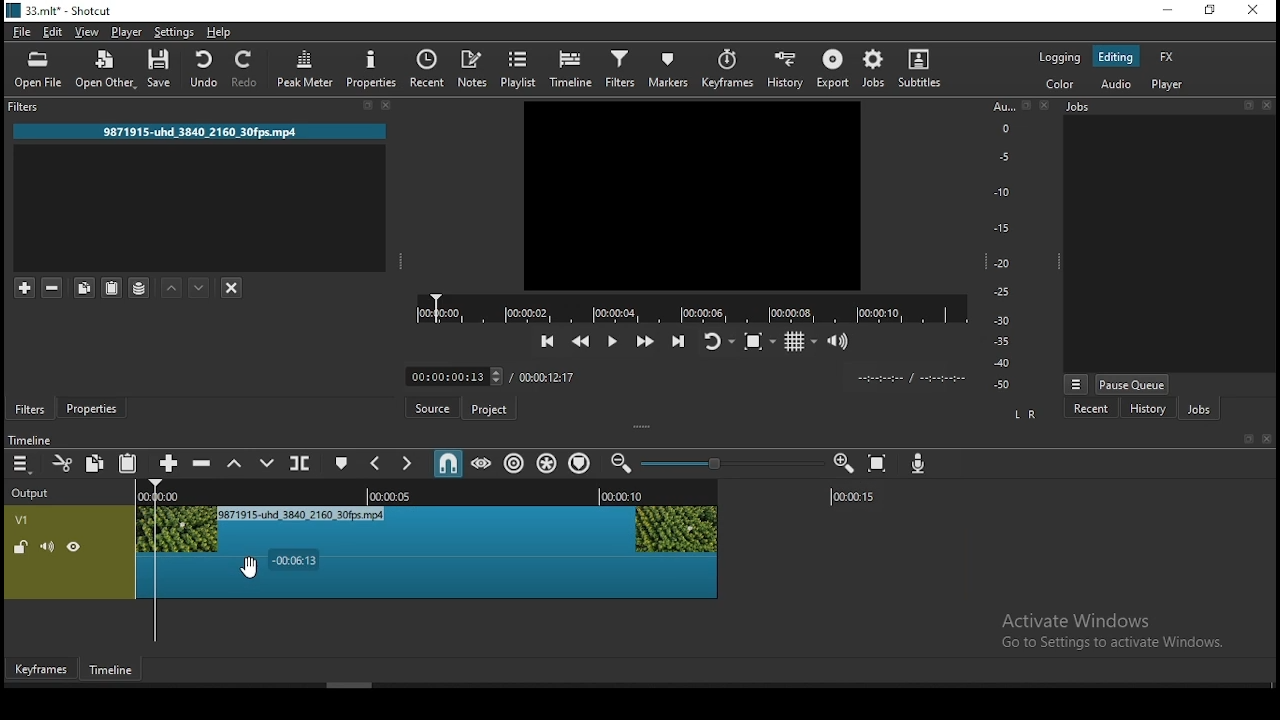 This screenshot has height=720, width=1280. Describe the element at coordinates (54, 32) in the screenshot. I see `edit` at that location.